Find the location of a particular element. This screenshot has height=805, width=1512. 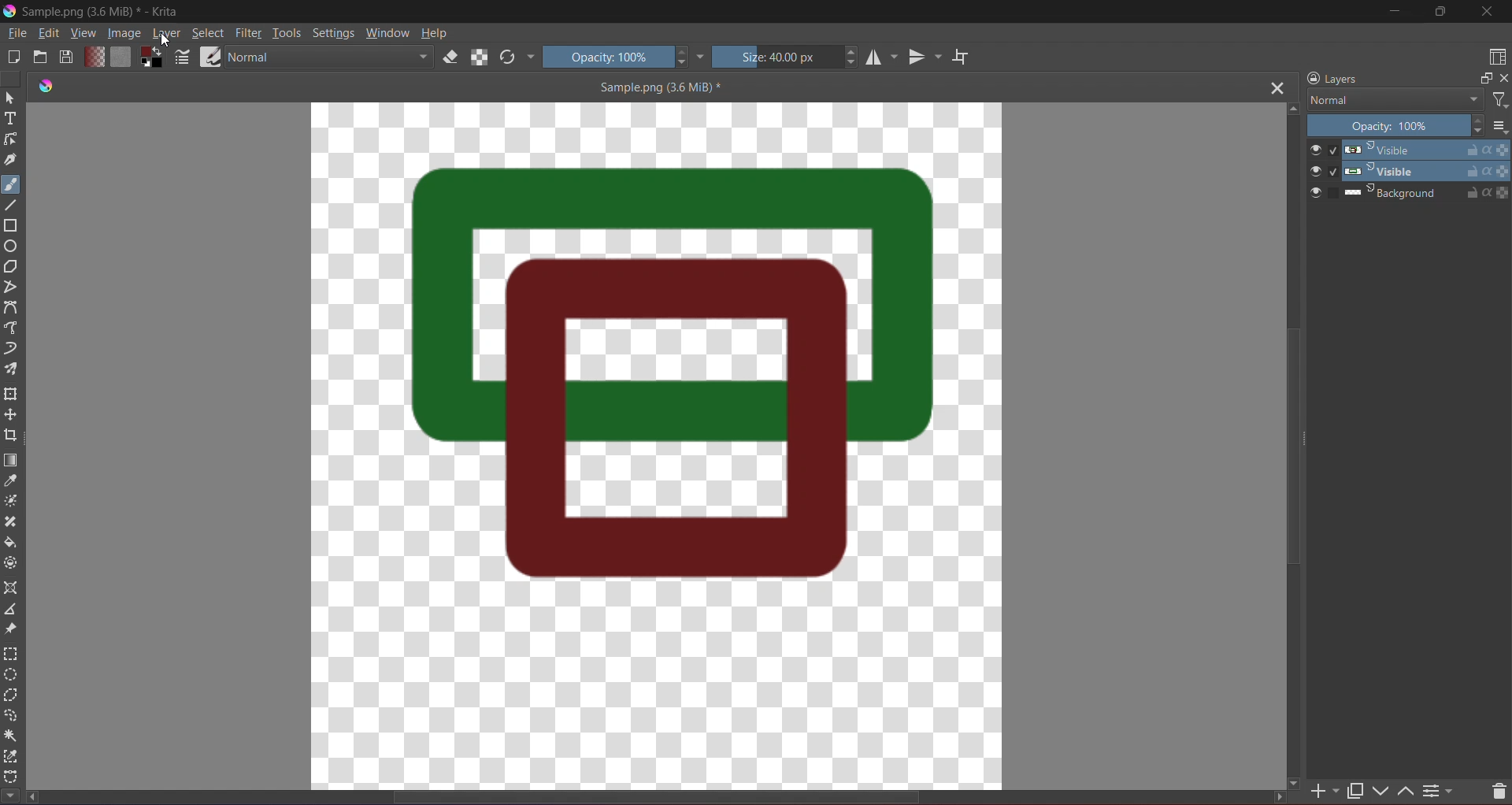

Mask Down is located at coordinates (1384, 788).